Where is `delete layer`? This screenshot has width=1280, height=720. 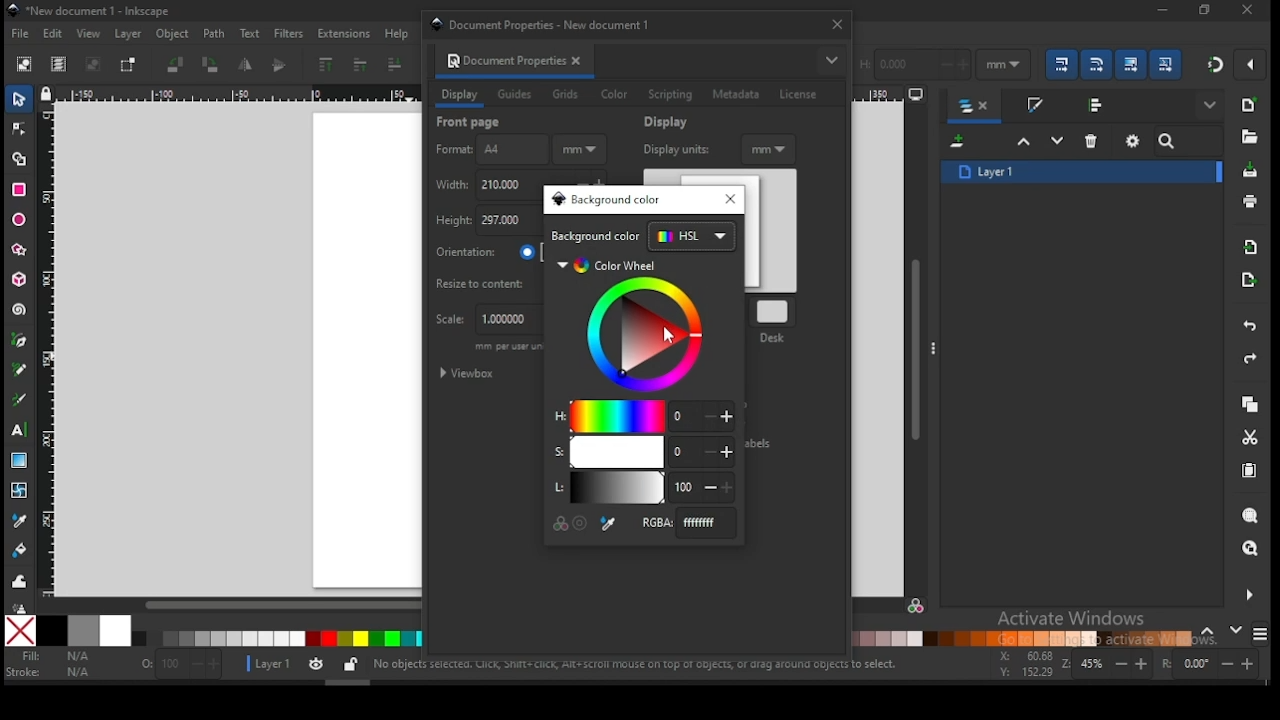 delete layer is located at coordinates (1092, 140).